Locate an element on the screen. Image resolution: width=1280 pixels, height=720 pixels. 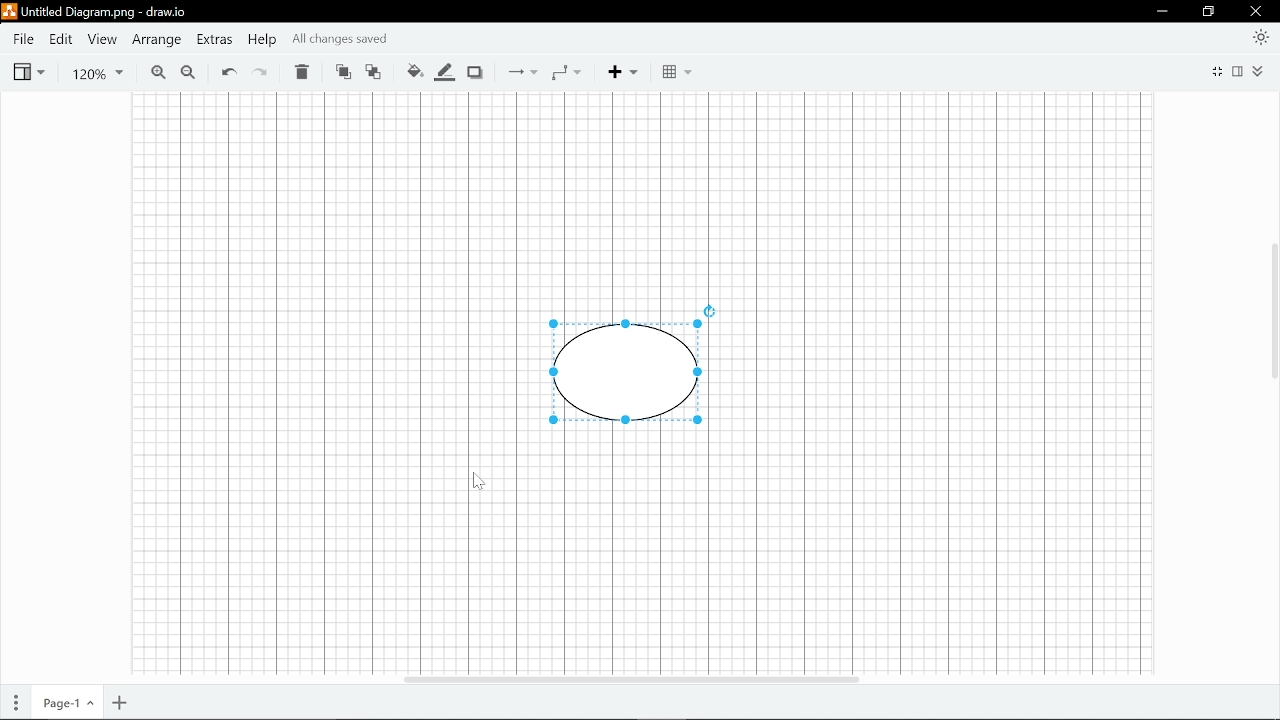
restore down is located at coordinates (1210, 12).